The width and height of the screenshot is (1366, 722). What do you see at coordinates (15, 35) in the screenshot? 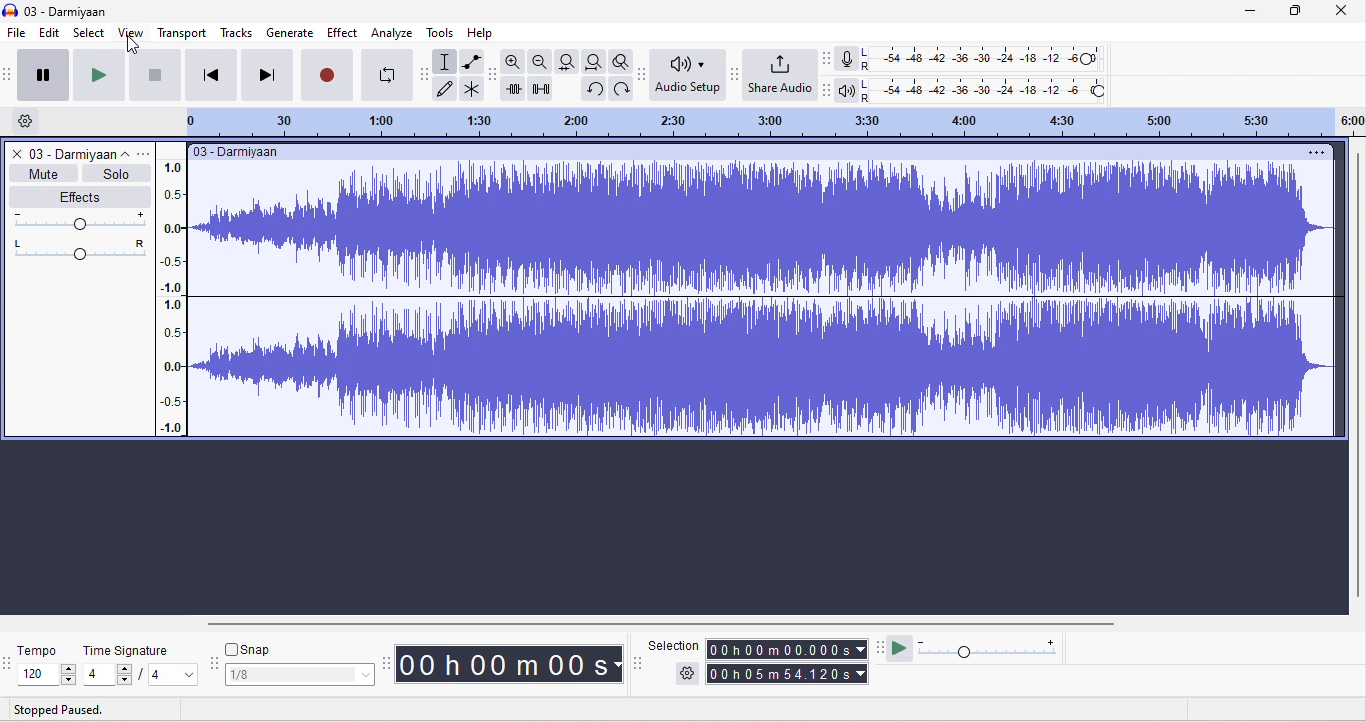
I see `file` at bounding box center [15, 35].